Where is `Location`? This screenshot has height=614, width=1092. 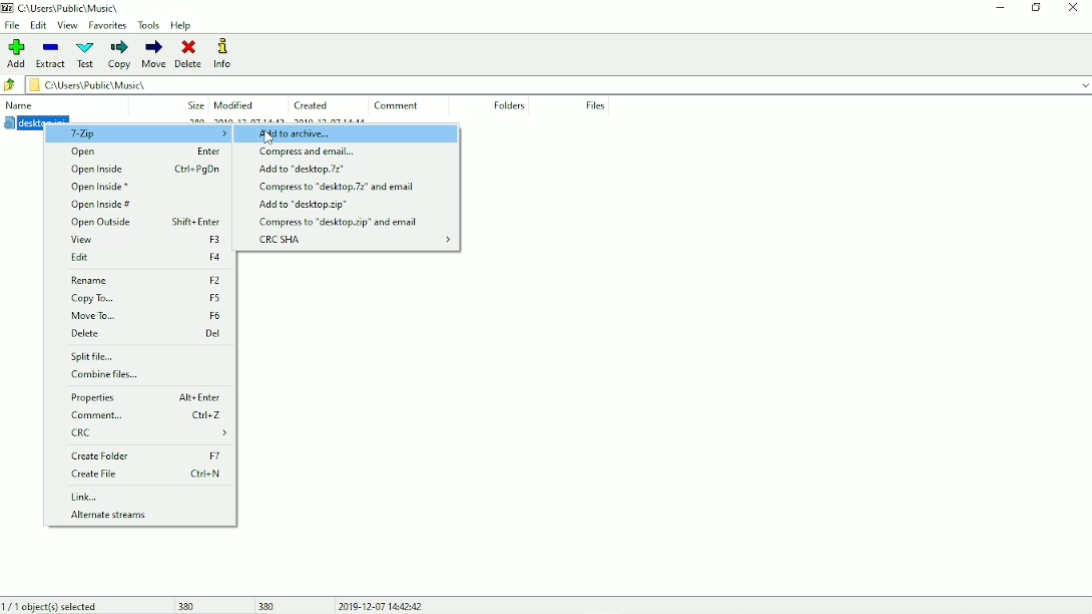
Location is located at coordinates (65, 8).